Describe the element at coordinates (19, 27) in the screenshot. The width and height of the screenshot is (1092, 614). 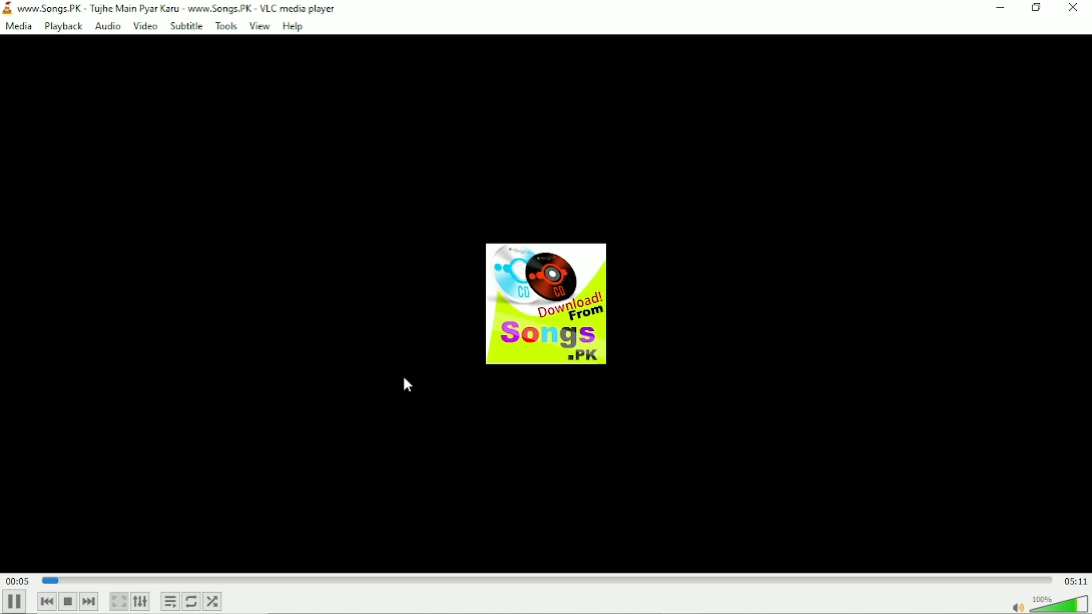
I see `Media` at that location.